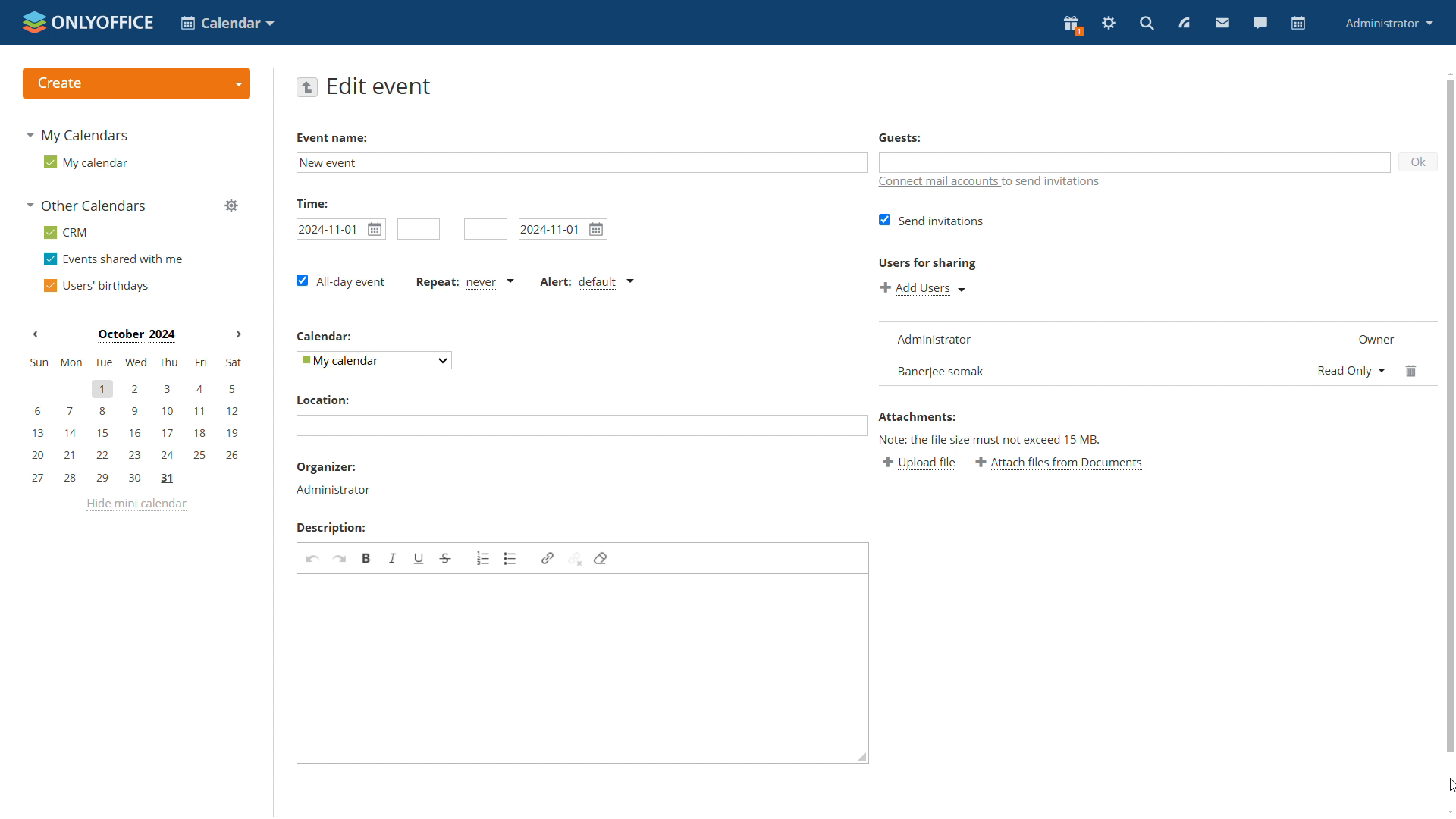  What do you see at coordinates (990, 440) in the screenshot?
I see `Note: the file size must not exceed 15 mb` at bounding box center [990, 440].